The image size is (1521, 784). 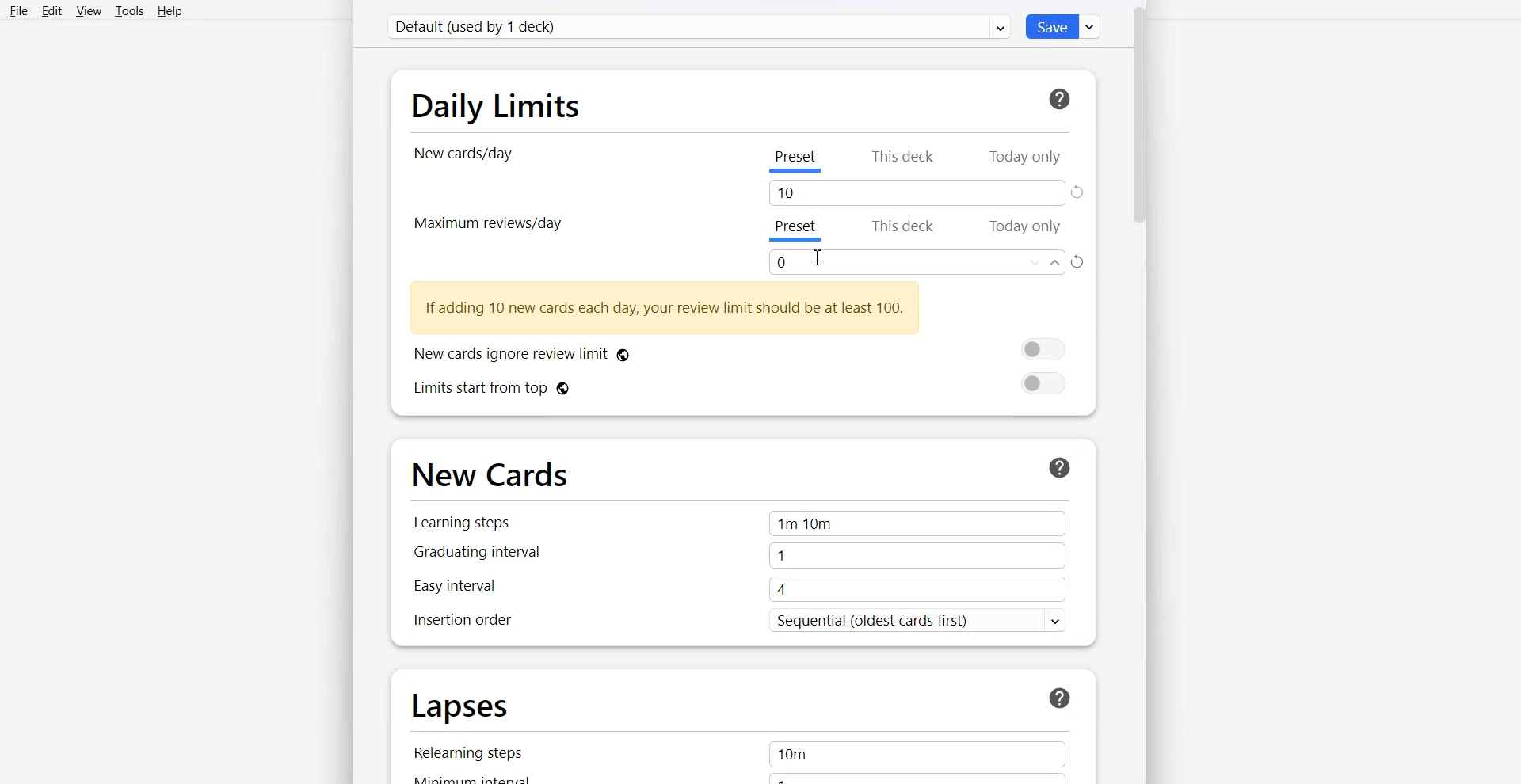 I want to click on This deck, so click(x=904, y=229).